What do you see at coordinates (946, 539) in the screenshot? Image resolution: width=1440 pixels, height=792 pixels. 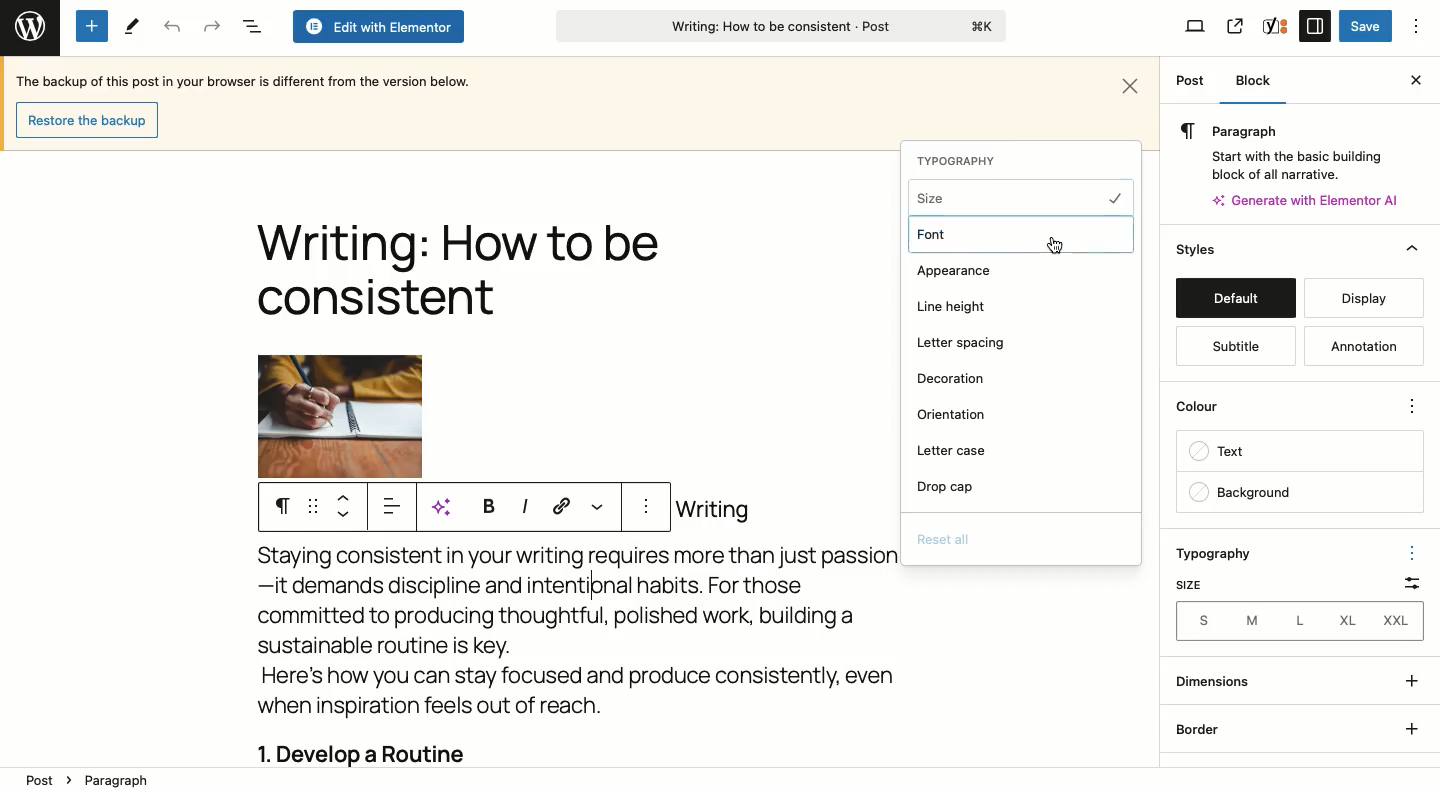 I see `Reset all` at bounding box center [946, 539].